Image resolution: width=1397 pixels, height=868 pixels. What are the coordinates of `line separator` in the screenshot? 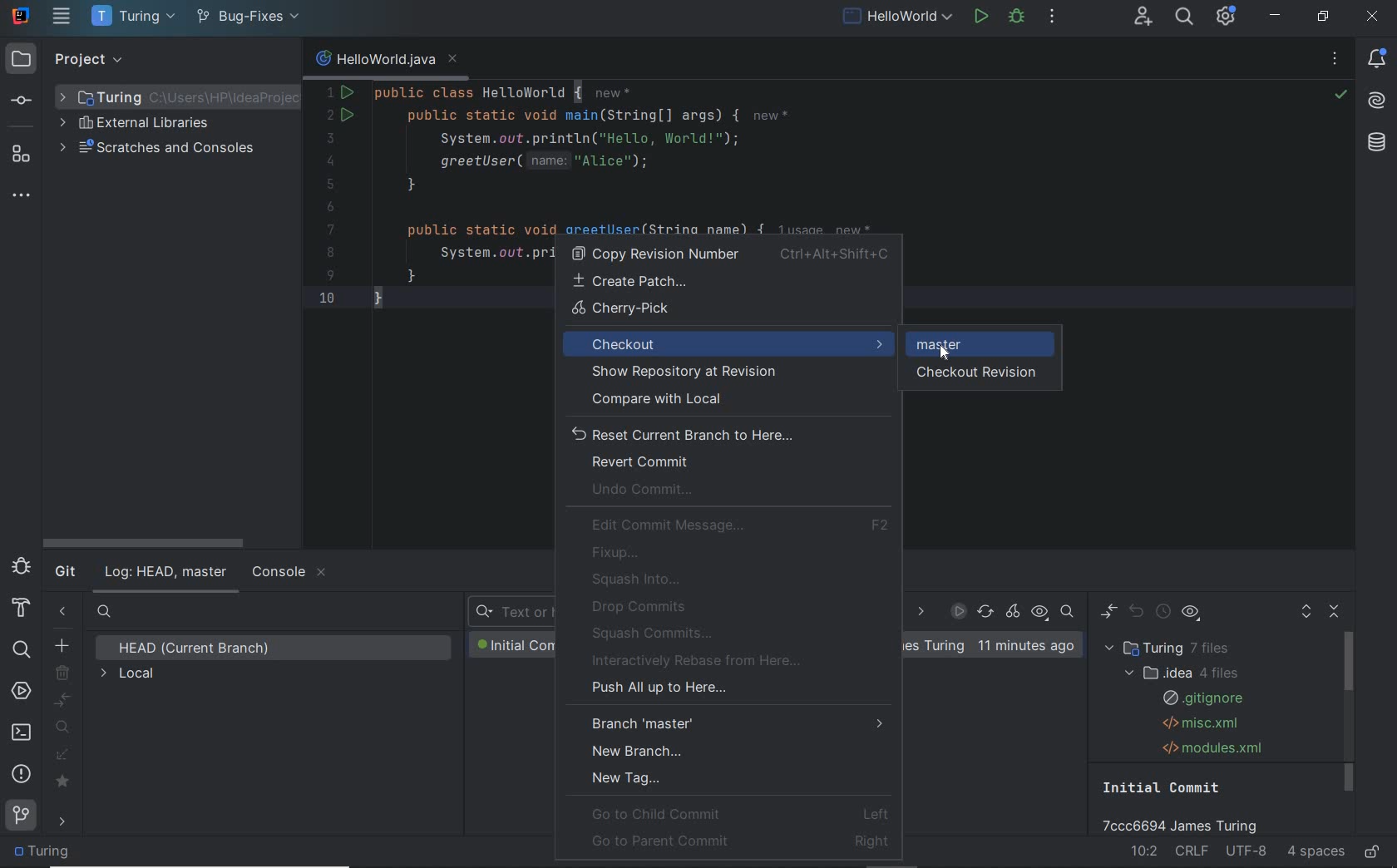 It's located at (1194, 852).